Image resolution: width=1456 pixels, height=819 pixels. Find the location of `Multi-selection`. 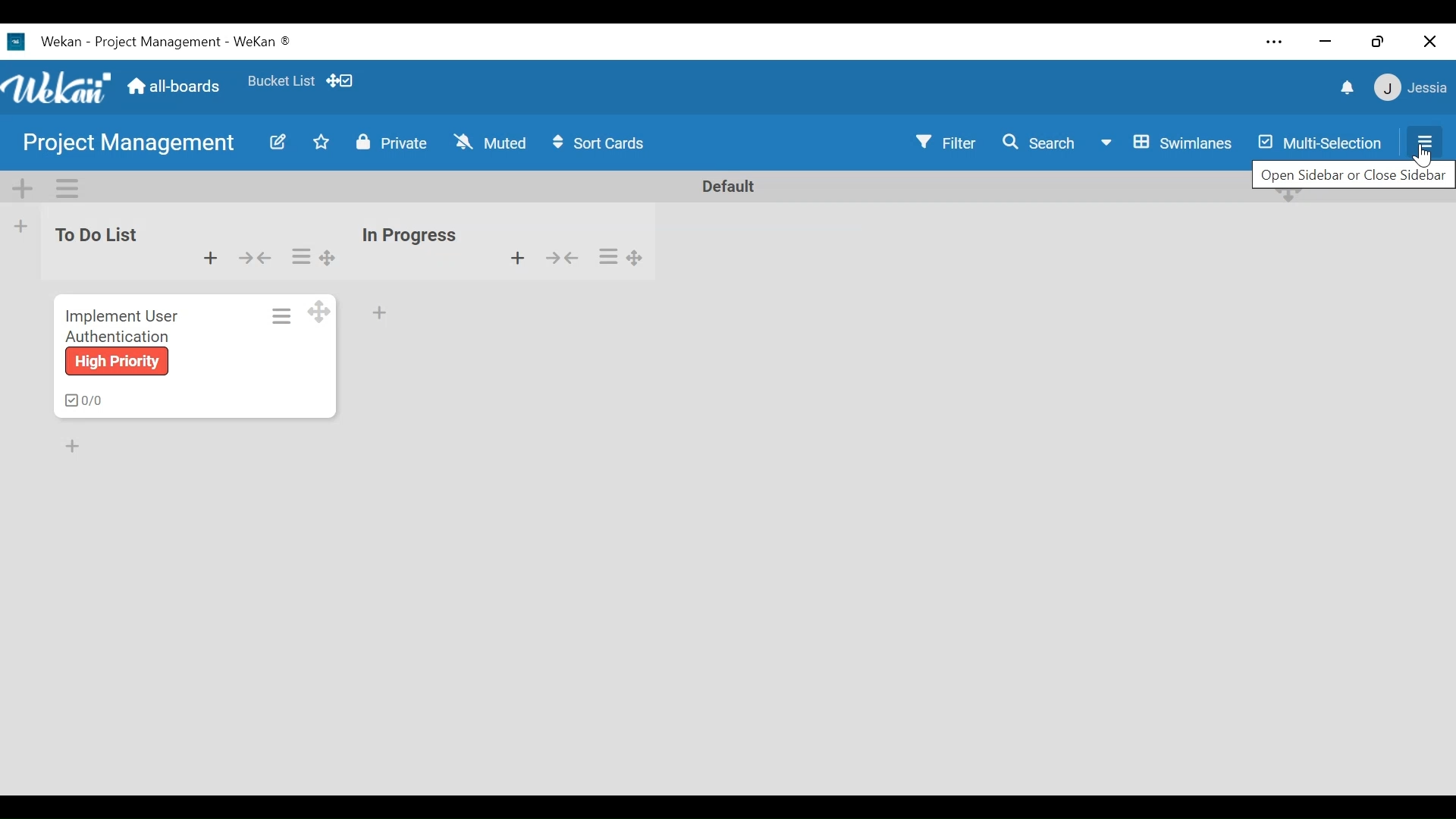

Multi-selection is located at coordinates (1322, 141).